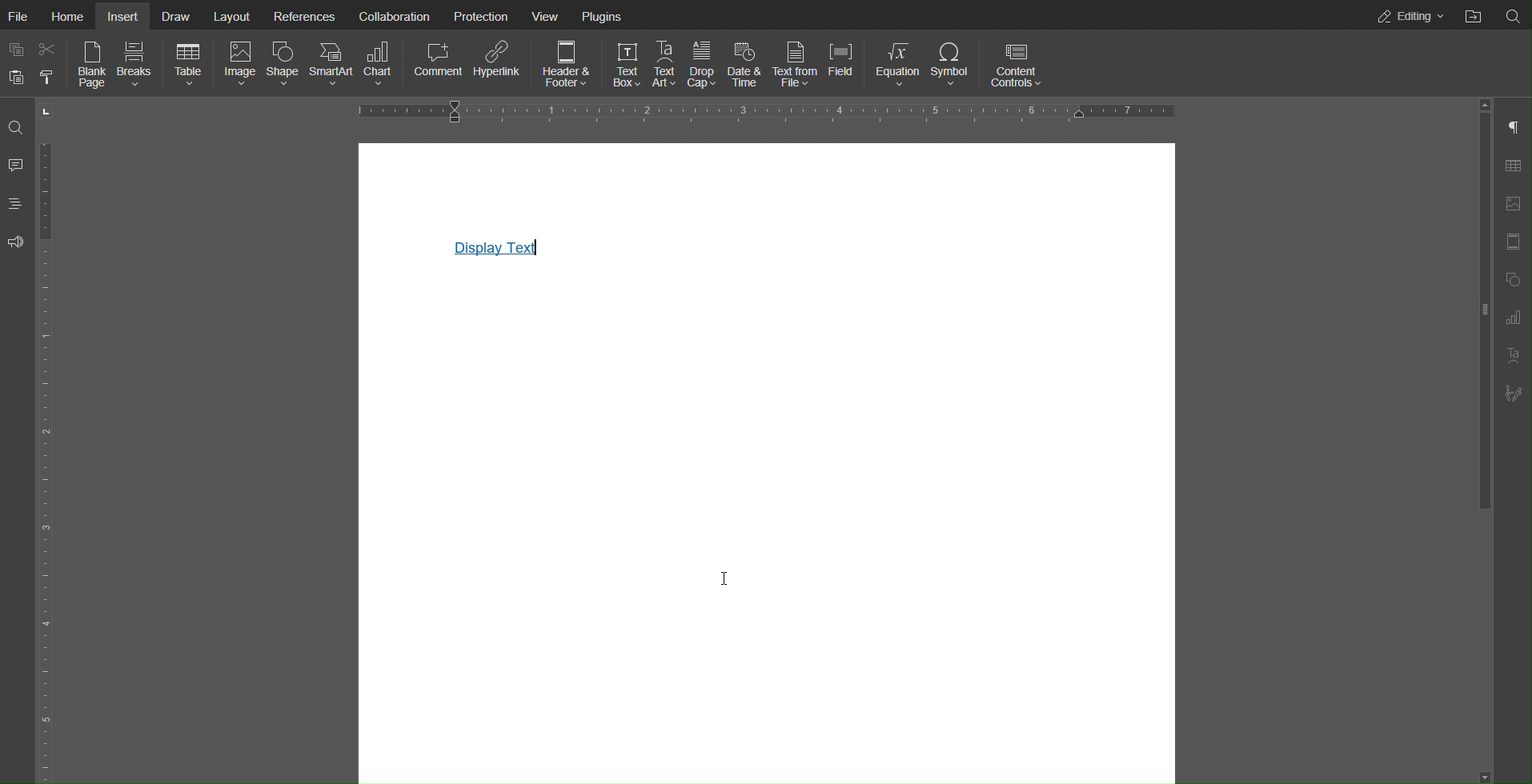  I want to click on slider, so click(1477, 338).